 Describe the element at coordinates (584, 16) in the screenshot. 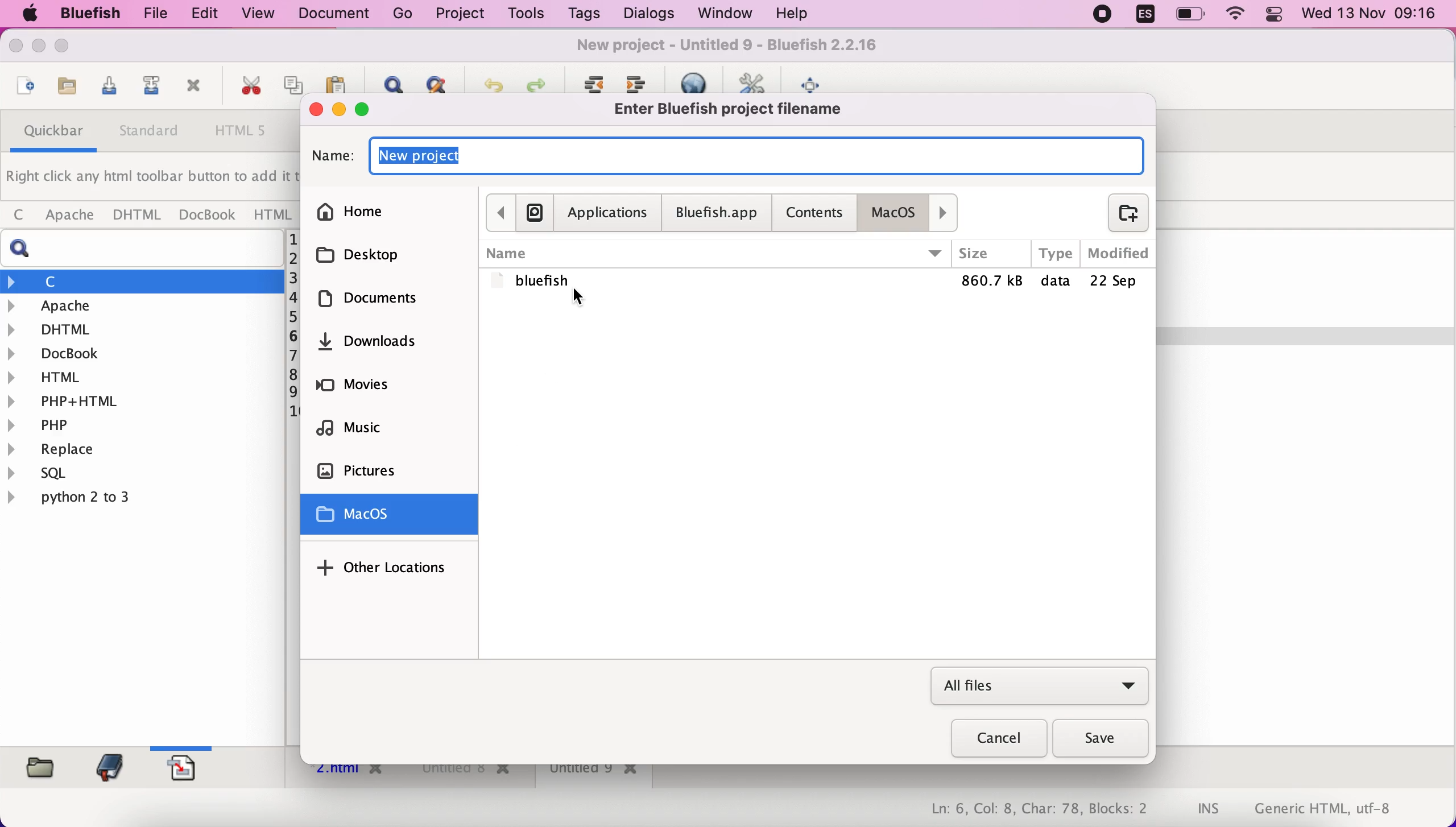

I see `tags` at that location.